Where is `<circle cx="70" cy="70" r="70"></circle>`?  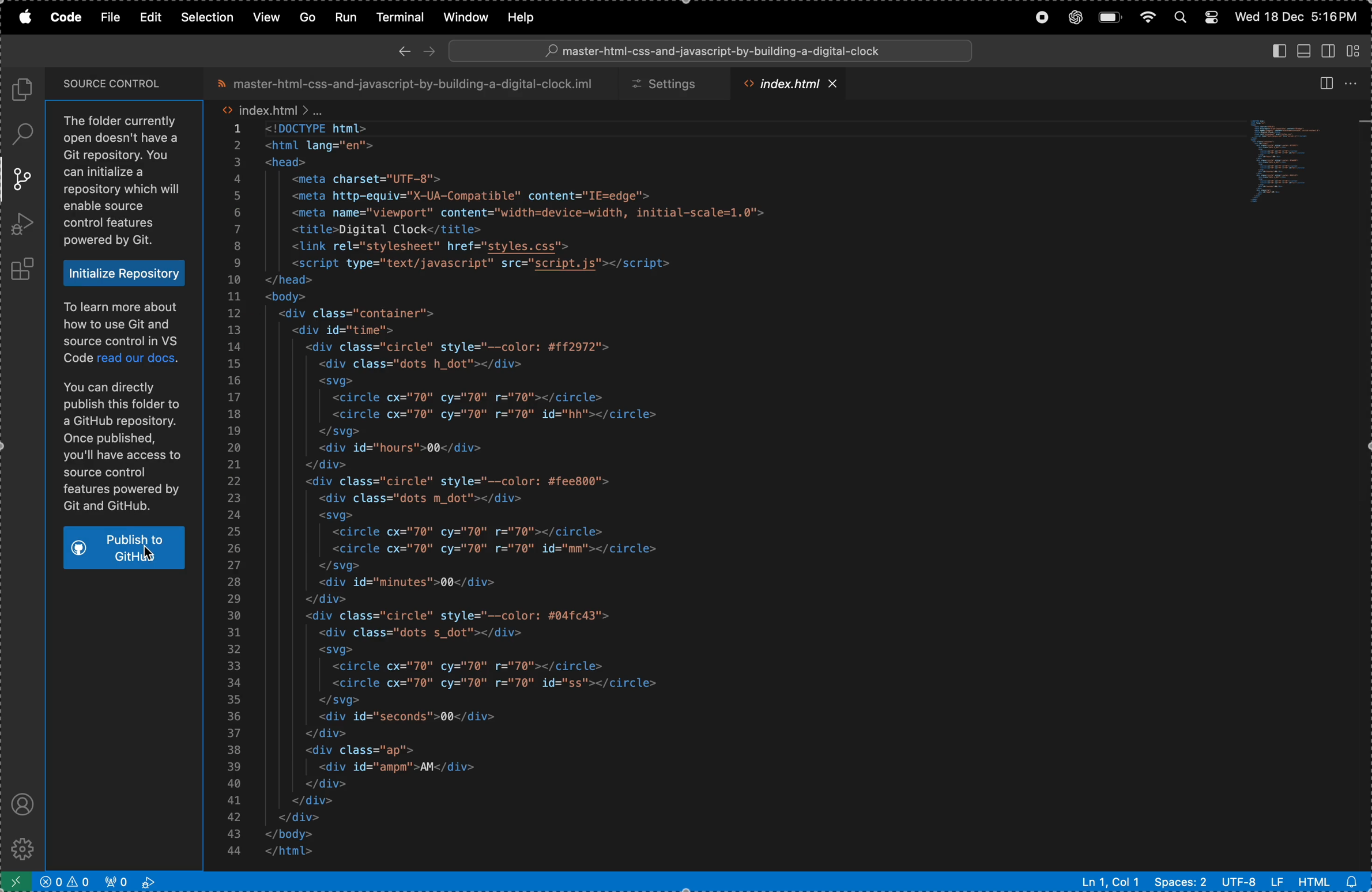
<circle cx="70" cy="70" r="70"></circle> is located at coordinates (480, 532).